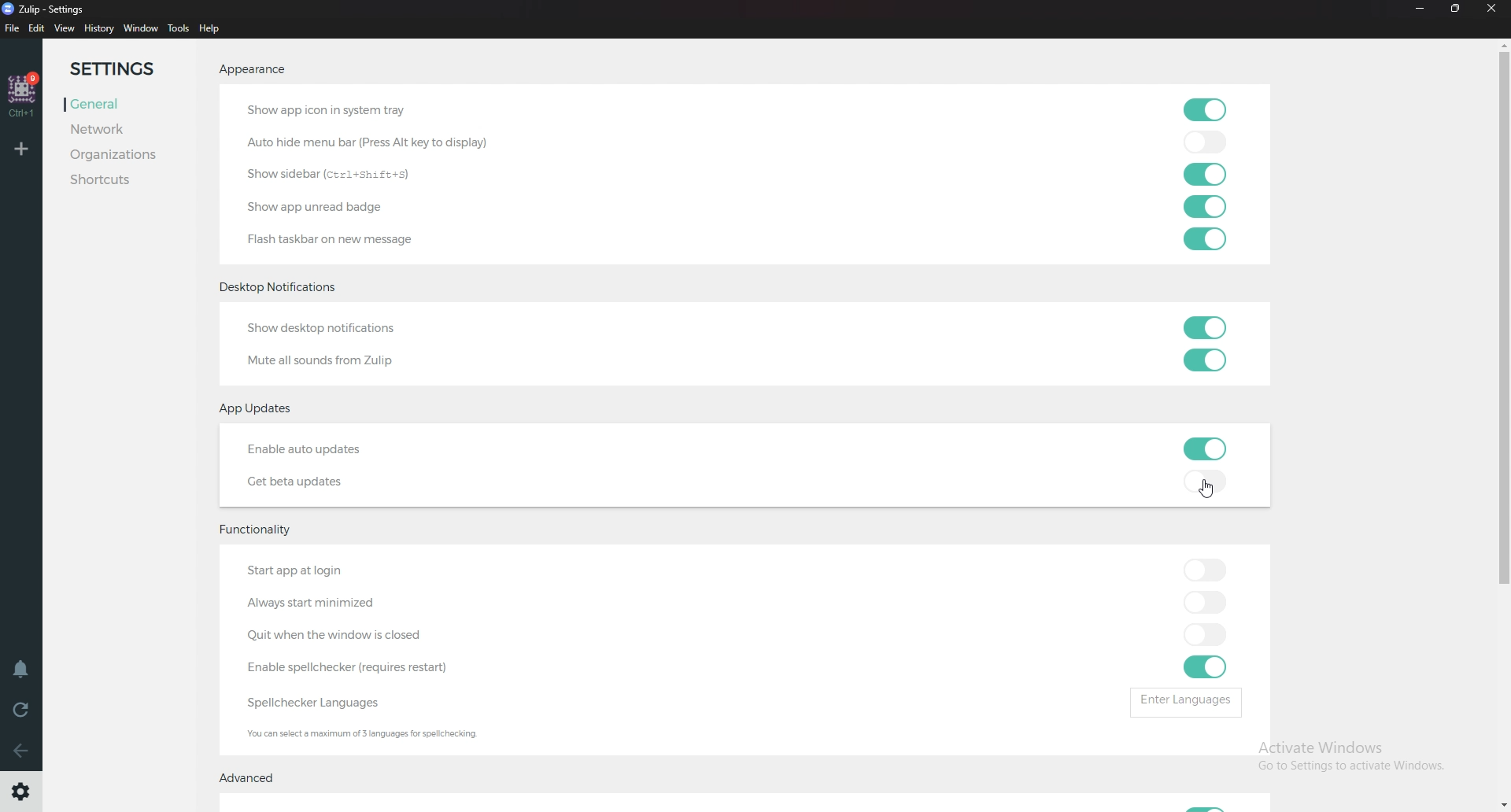 This screenshot has width=1511, height=812. Describe the element at coordinates (1206, 568) in the screenshot. I see `toggle` at that location.